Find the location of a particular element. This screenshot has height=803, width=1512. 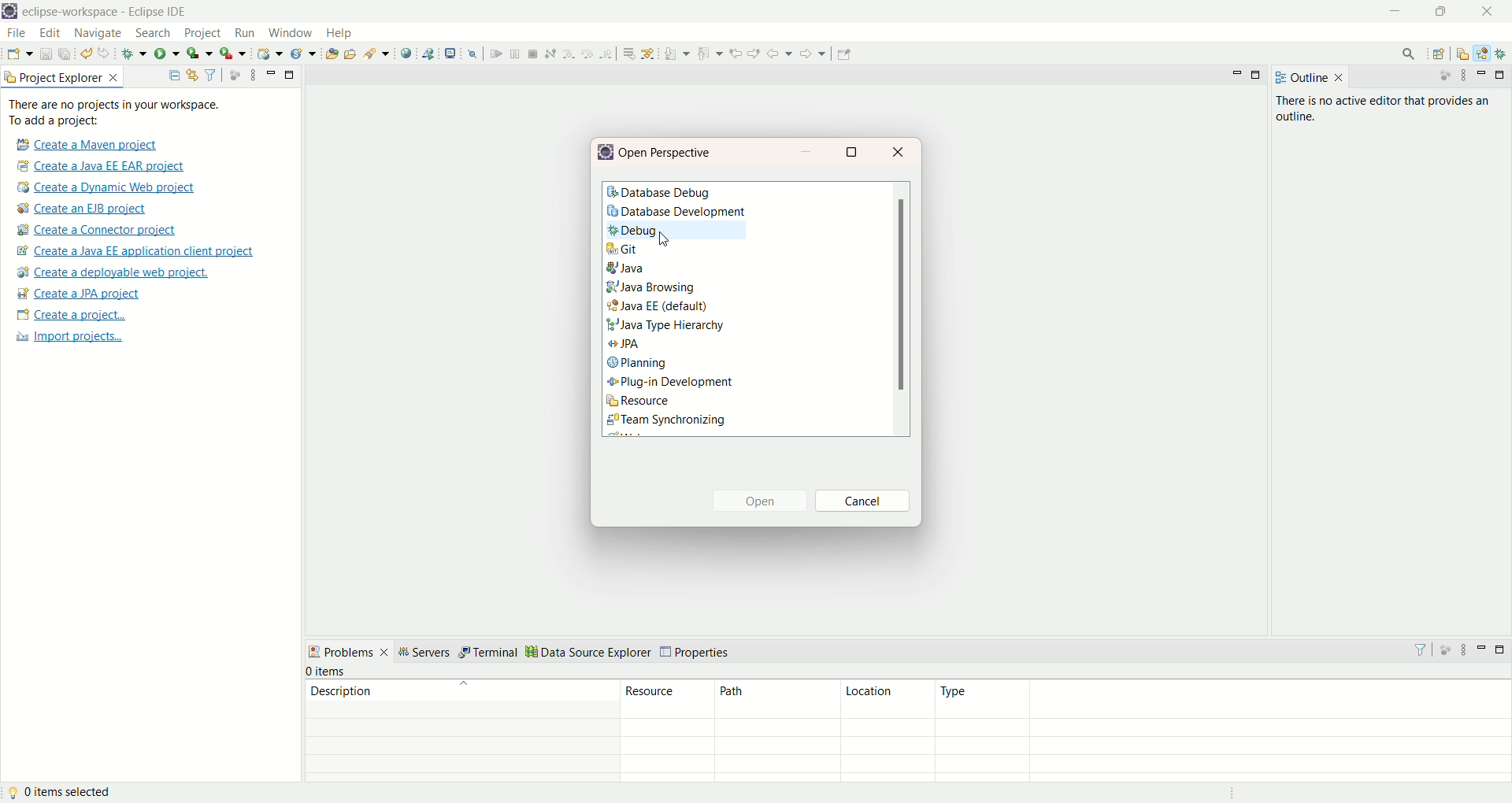

open task is located at coordinates (350, 53).